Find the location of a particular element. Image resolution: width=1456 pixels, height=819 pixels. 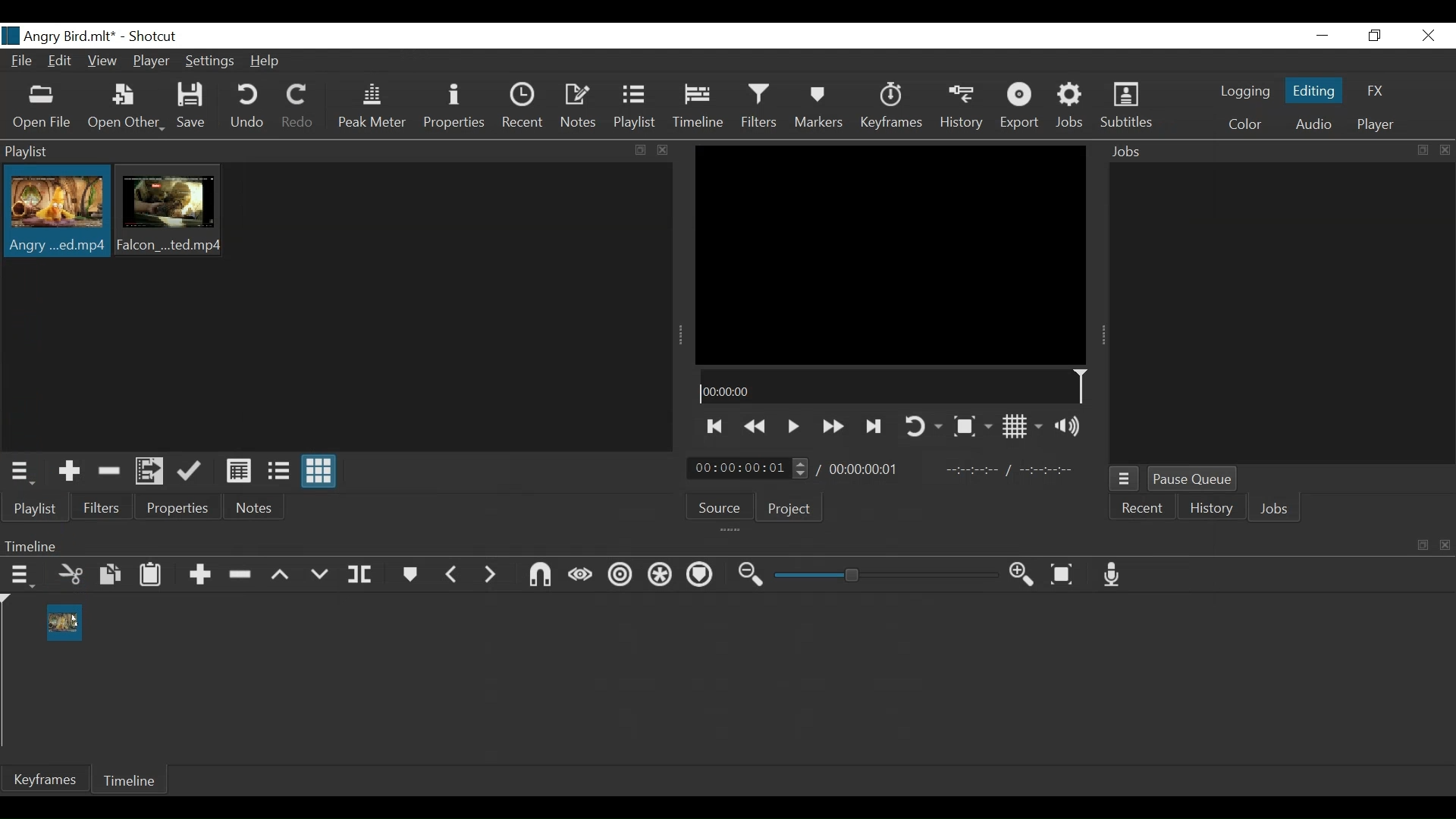

In point is located at coordinates (1012, 469).